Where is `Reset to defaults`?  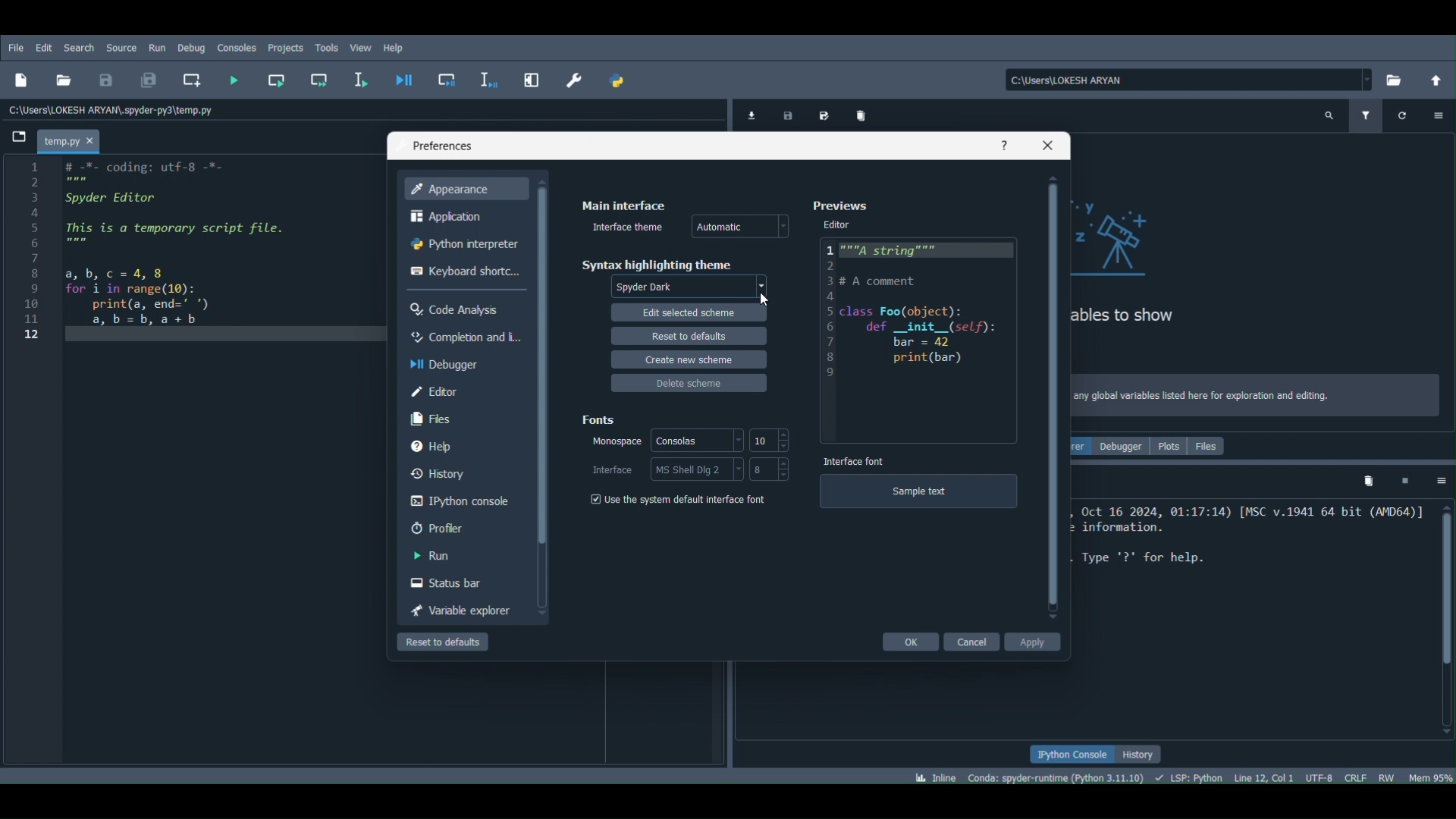
Reset to defaults is located at coordinates (686, 334).